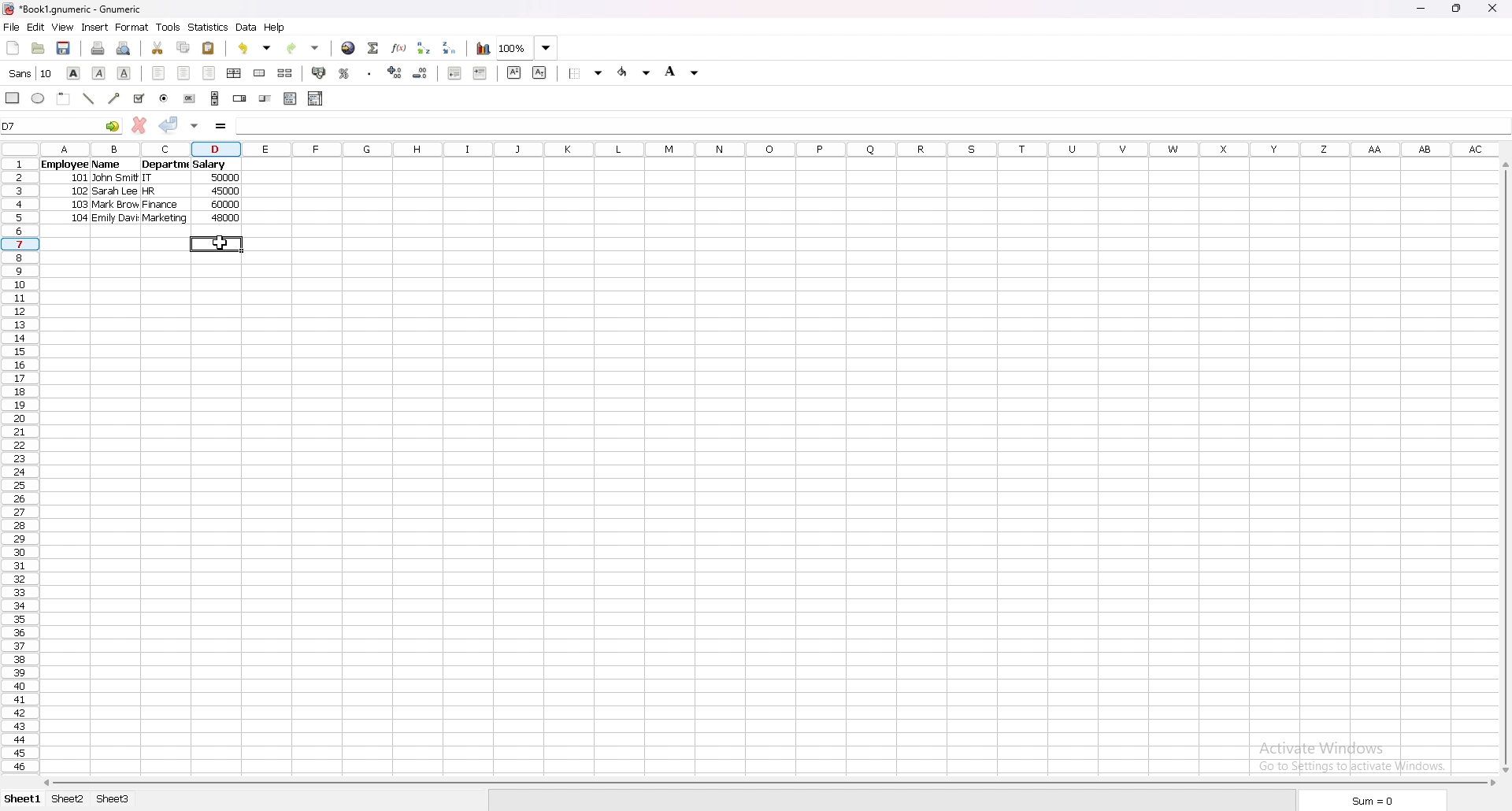 The width and height of the screenshot is (1512, 811). I want to click on redo, so click(303, 49).